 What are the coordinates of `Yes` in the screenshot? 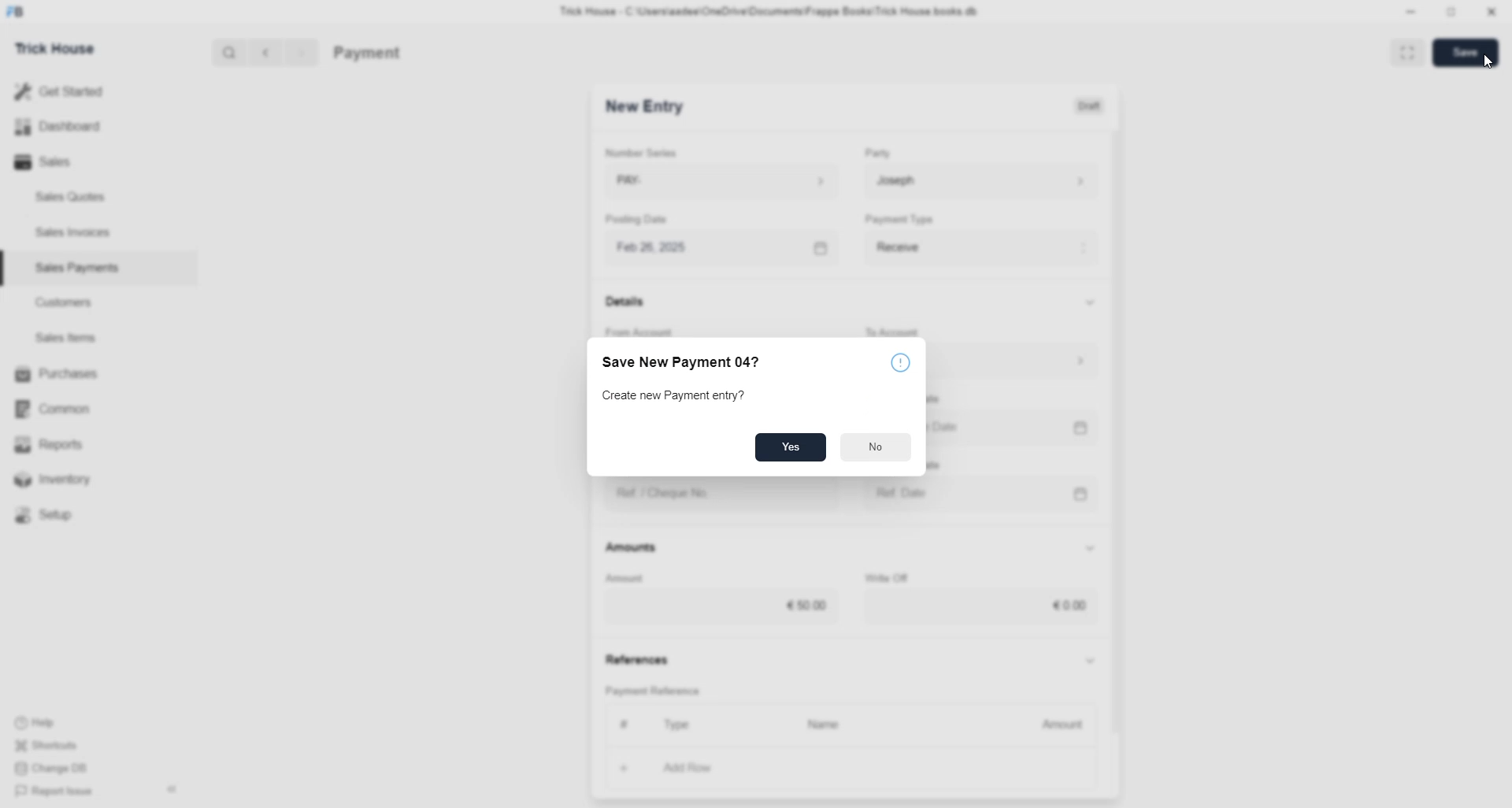 It's located at (789, 448).